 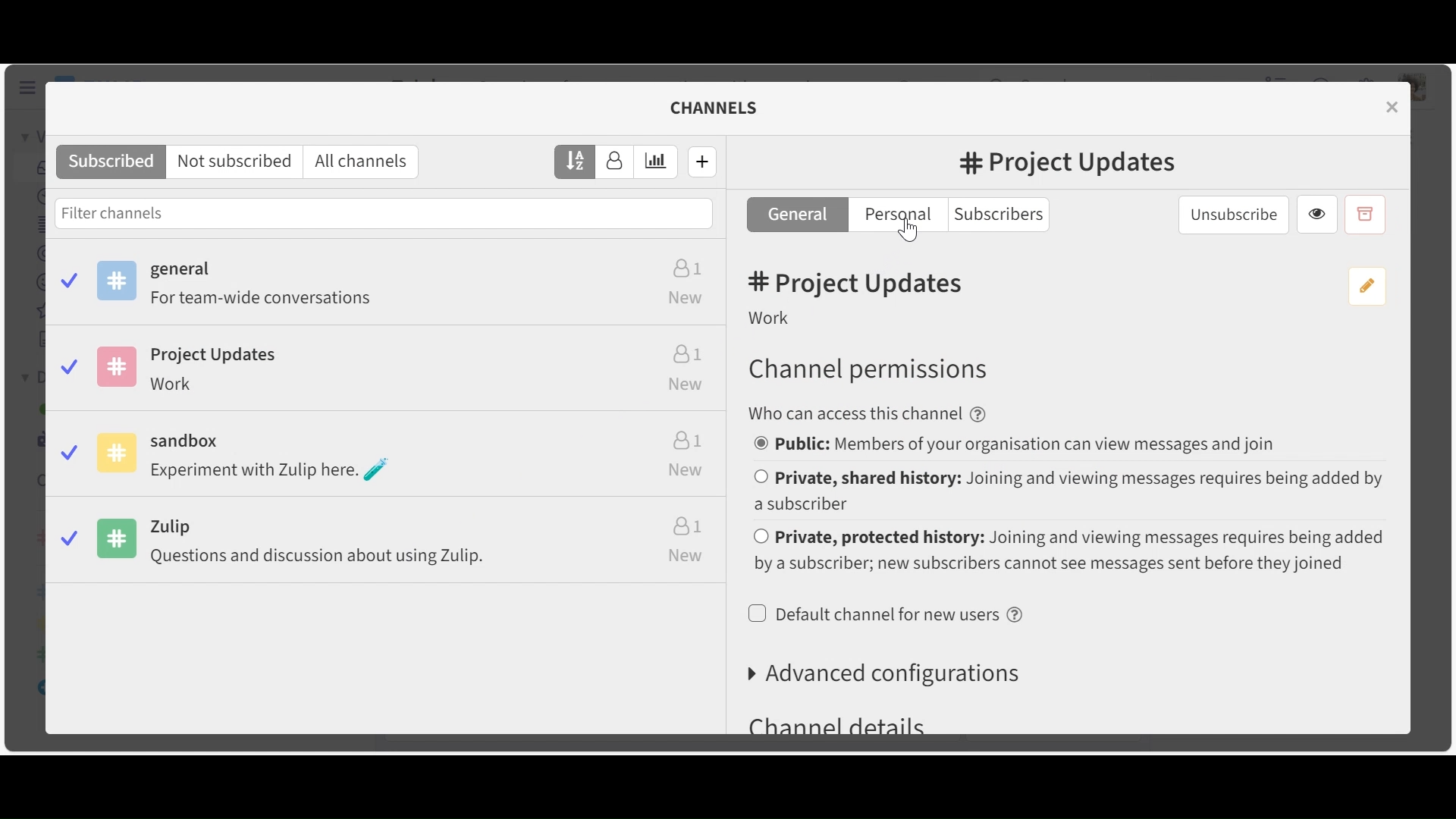 What do you see at coordinates (1317, 216) in the screenshot?
I see `View channel` at bounding box center [1317, 216].